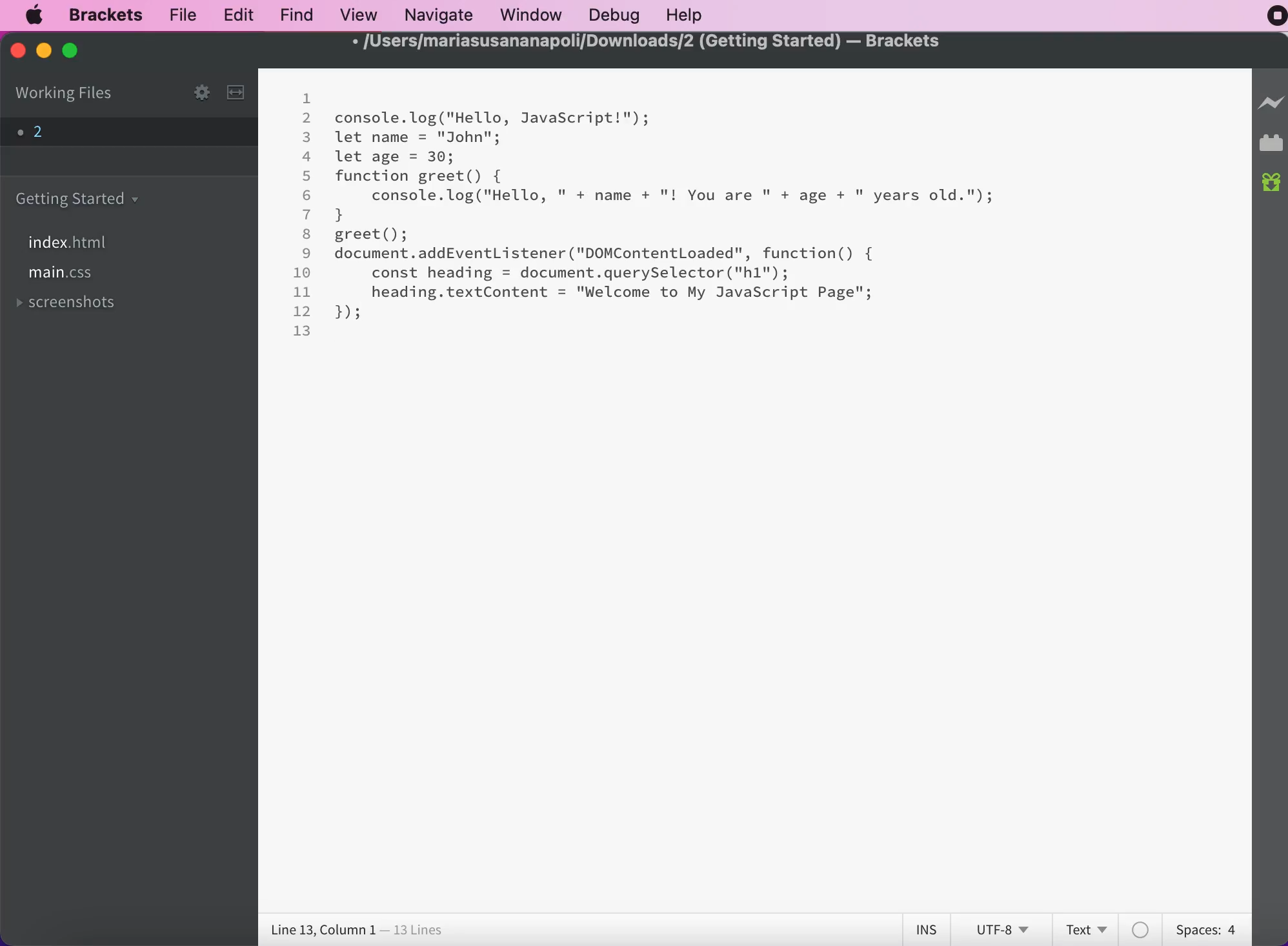  What do you see at coordinates (307, 176) in the screenshot?
I see `5` at bounding box center [307, 176].